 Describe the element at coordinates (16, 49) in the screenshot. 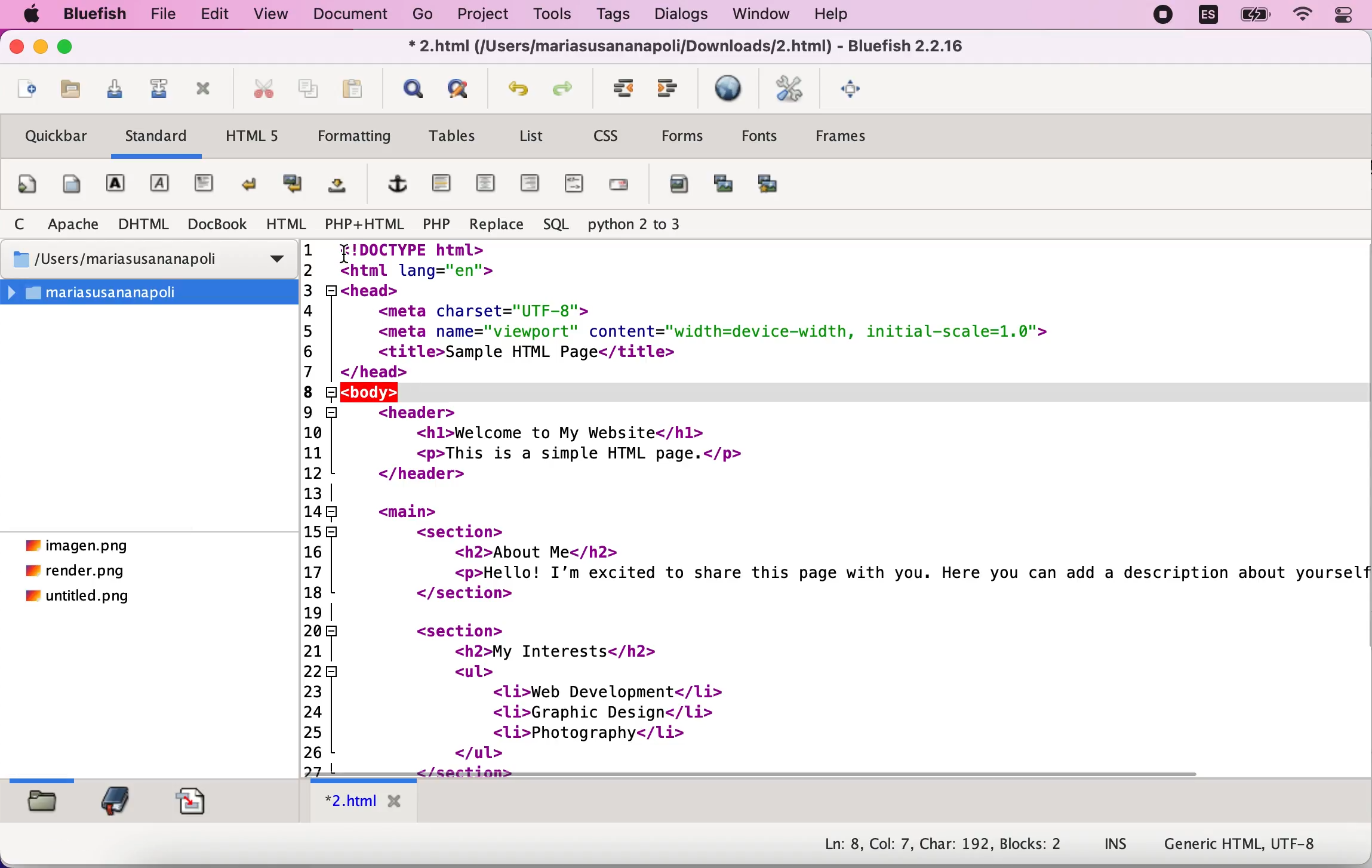

I see `close` at that location.